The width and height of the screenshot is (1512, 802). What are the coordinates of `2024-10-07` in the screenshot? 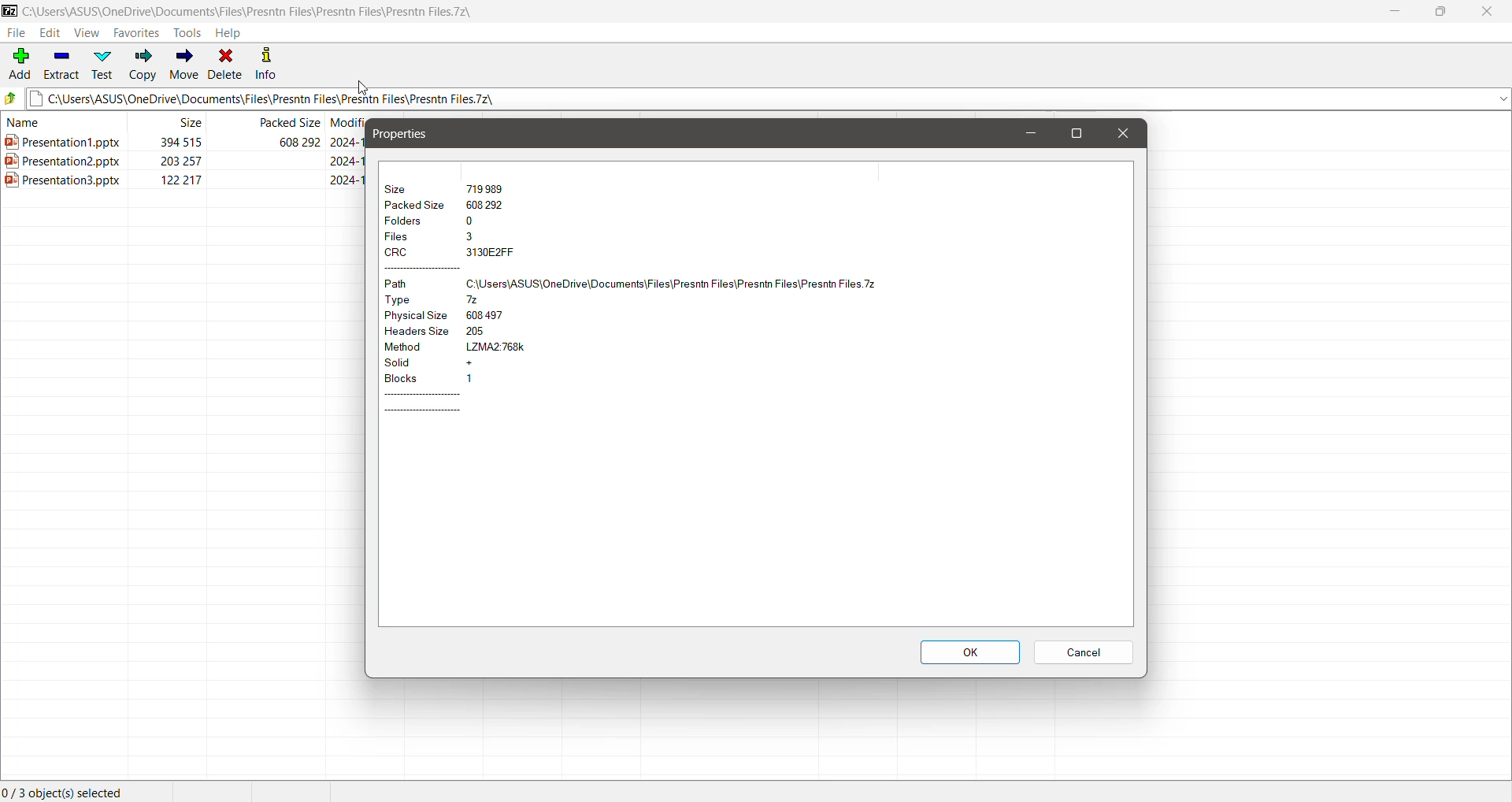 It's located at (347, 143).